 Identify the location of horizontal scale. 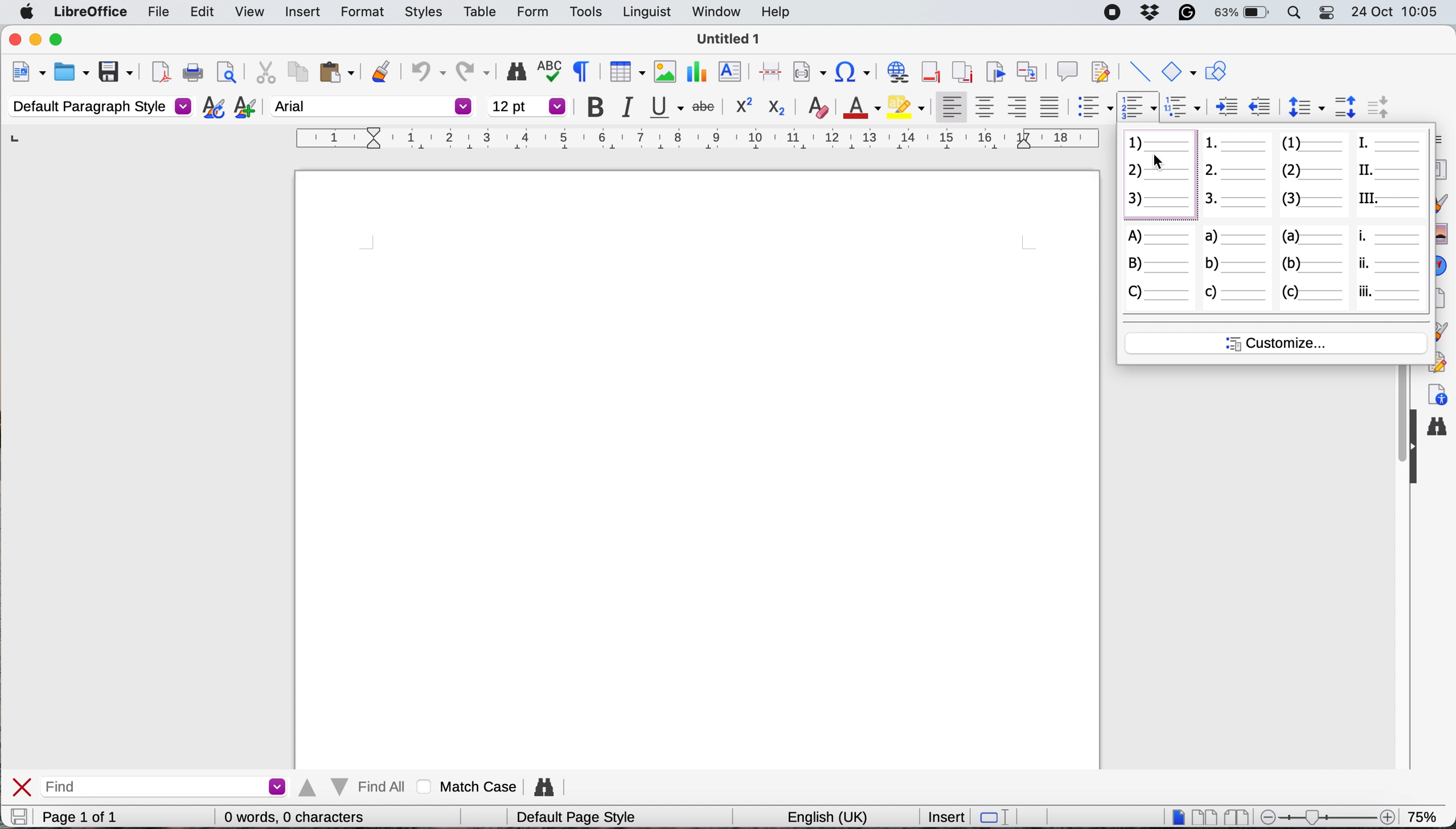
(699, 141).